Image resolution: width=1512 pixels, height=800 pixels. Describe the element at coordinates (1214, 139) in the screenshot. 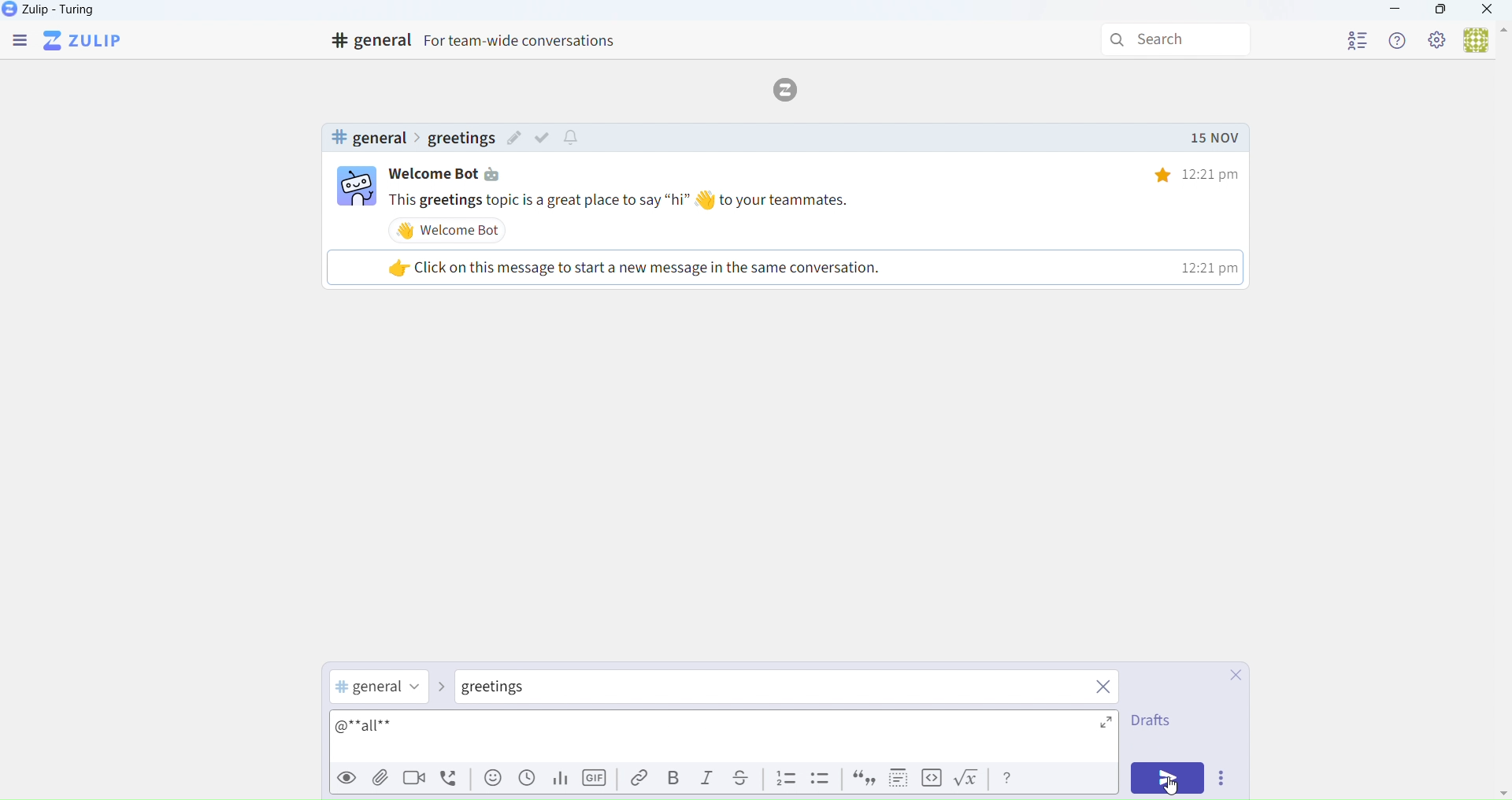

I see `date` at that location.